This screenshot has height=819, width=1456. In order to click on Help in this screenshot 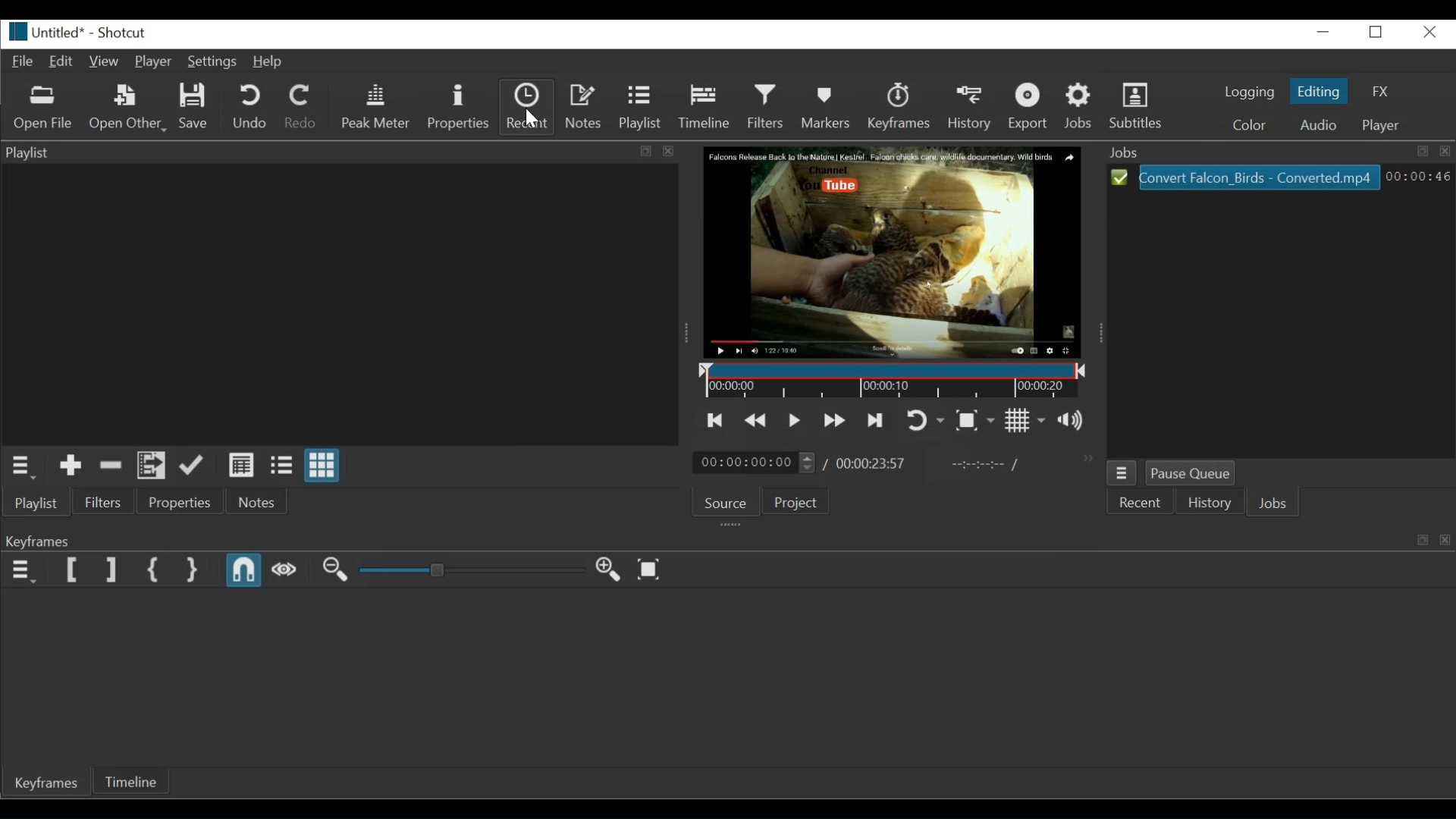, I will do `click(271, 62)`.